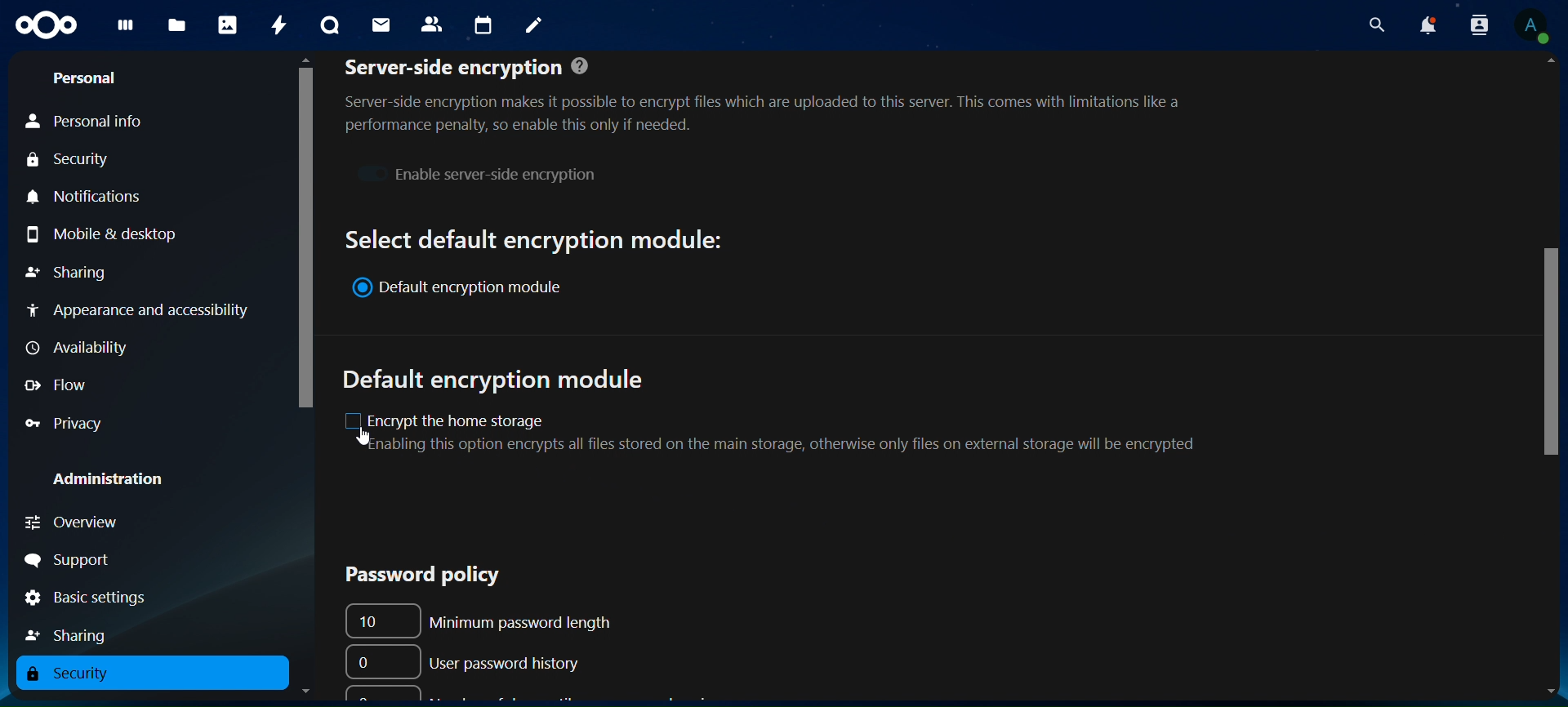 The width and height of the screenshot is (1568, 707). I want to click on icon, so click(43, 23).